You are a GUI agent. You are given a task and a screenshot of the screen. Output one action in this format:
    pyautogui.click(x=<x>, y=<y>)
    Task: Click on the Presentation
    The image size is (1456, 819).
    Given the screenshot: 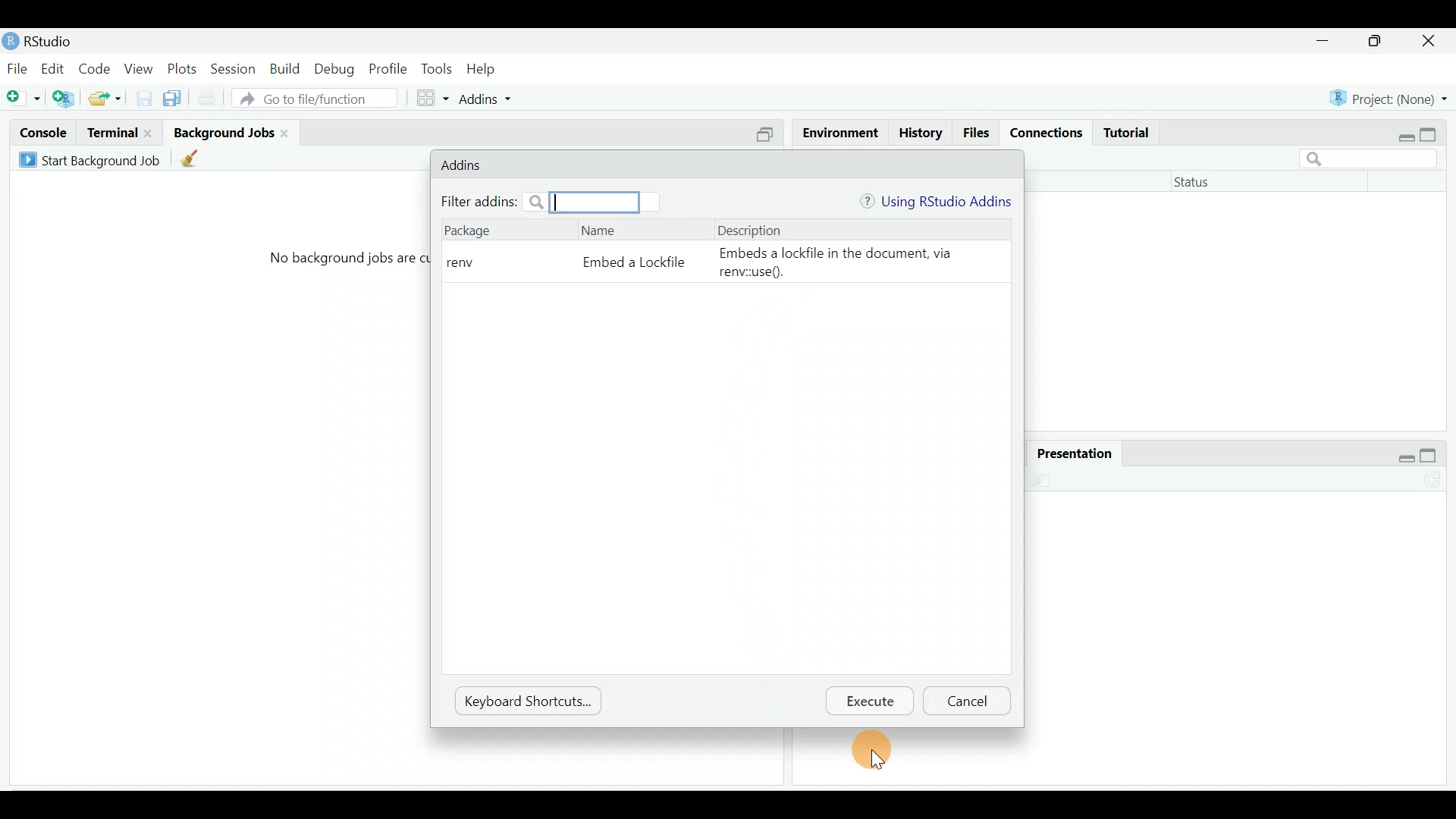 What is the action you would take?
    pyautogui.click(x=1068, y=450)
    